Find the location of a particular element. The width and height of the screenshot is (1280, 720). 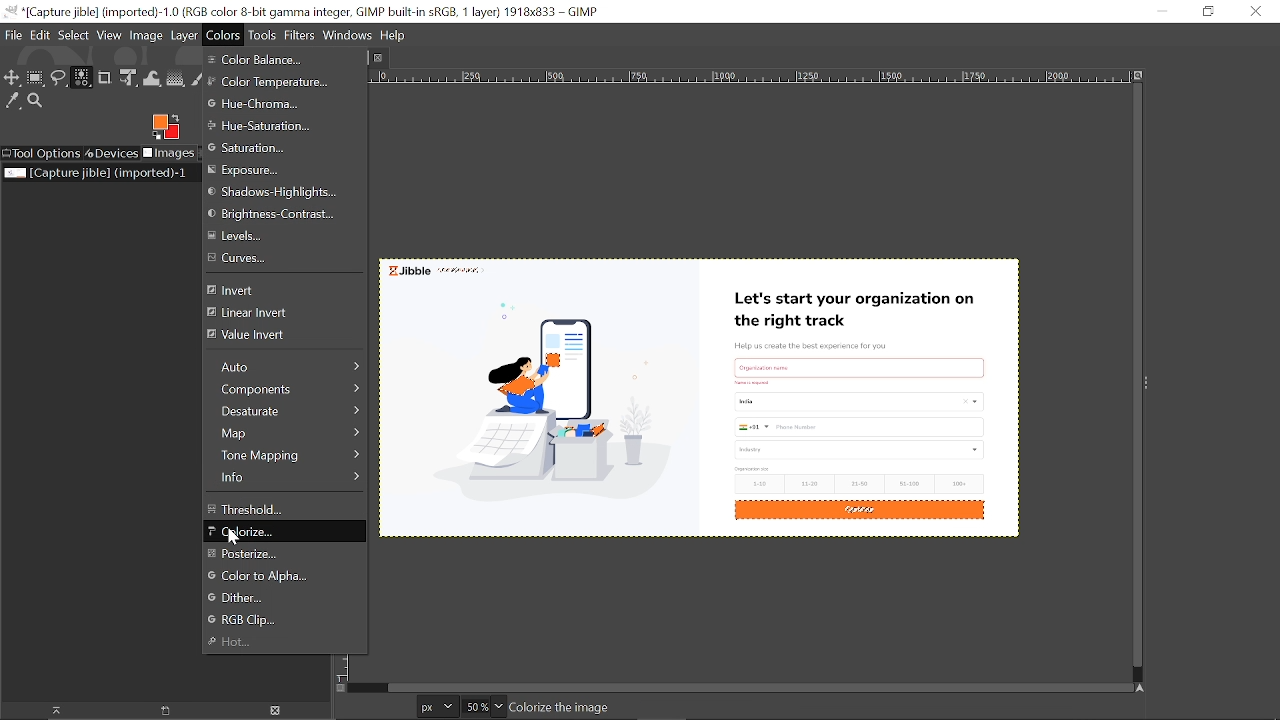

Curves is located at coordinates (275, 259).